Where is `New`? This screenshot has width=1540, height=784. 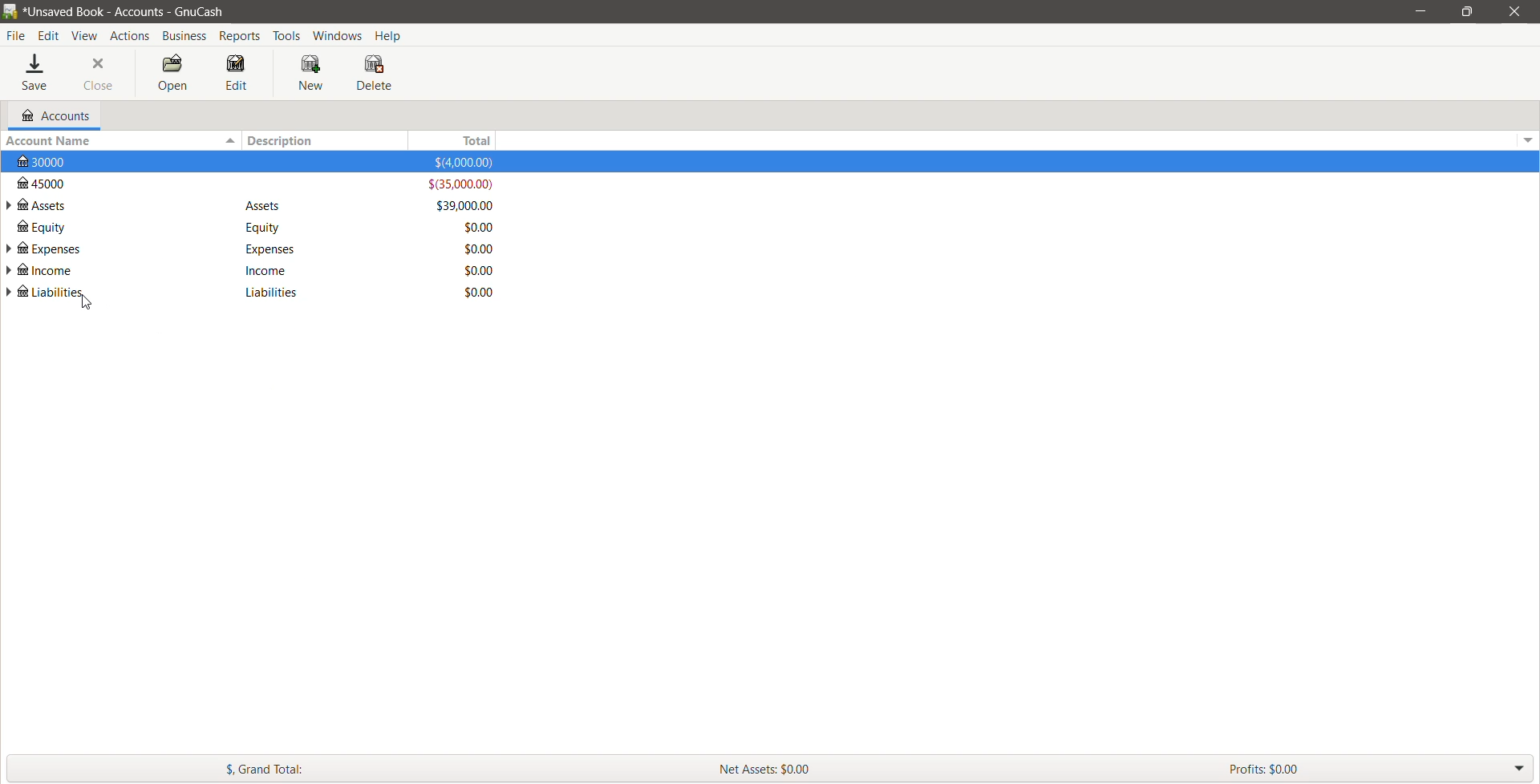 New is located at coordinates (314, 74).